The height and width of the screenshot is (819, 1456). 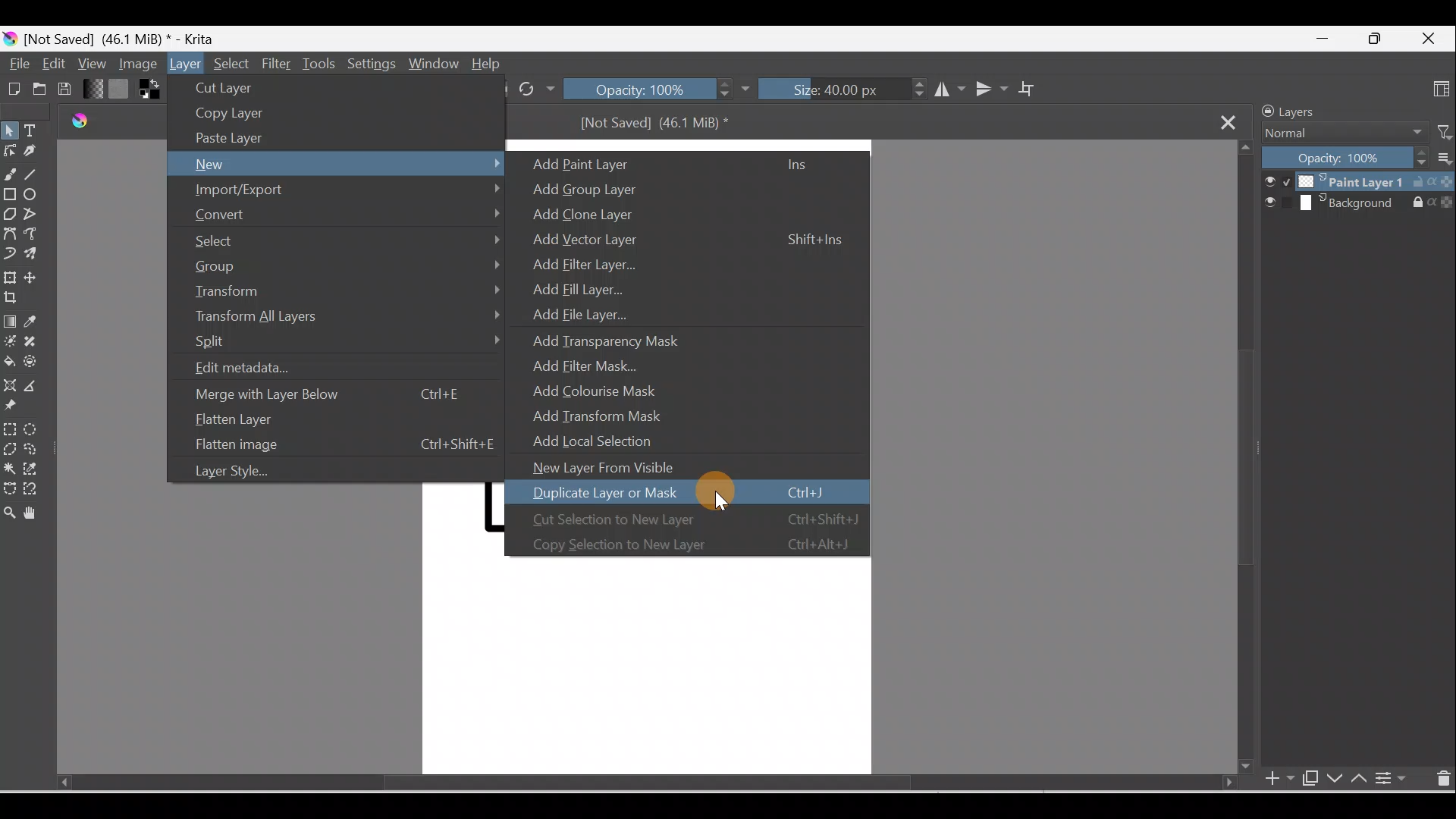 What do you see at coordinates (17, 64) in the screenshot?
I see `File` at bounding box center [17, 64].